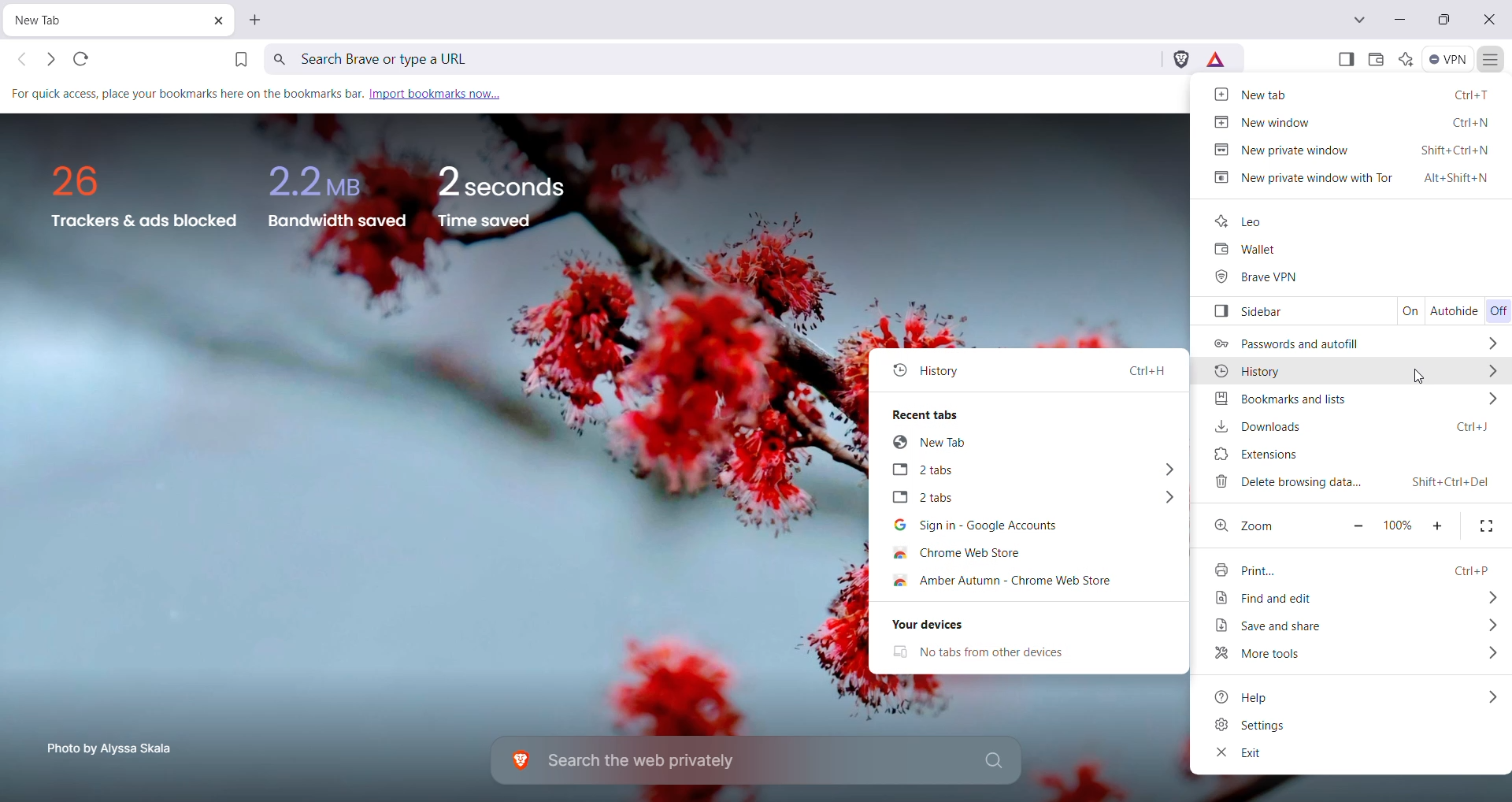 Image resolution: width=1512 pixels, height=802 pixels. What do you see at coordinates (1351, 121) in the screenshot?
I see `New Window` at bounding box center [1351, 121].